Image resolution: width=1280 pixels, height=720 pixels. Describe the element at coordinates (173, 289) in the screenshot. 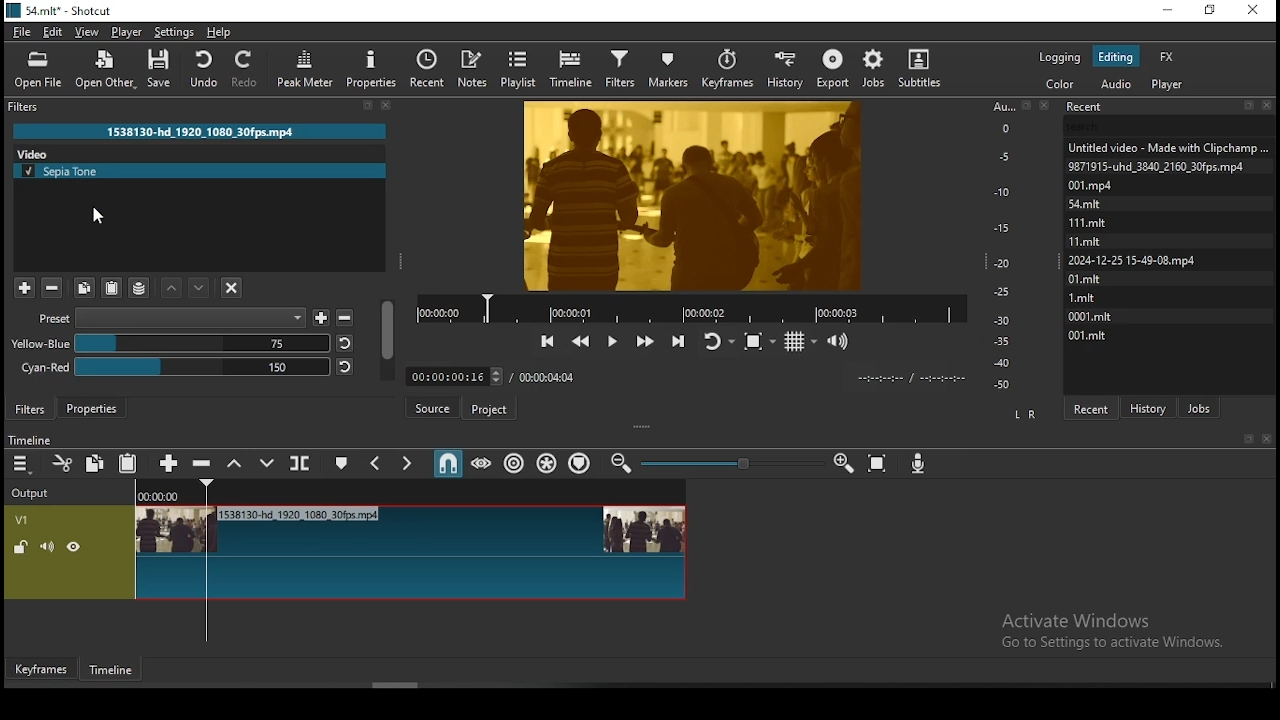

I see `move filter up` at that location.